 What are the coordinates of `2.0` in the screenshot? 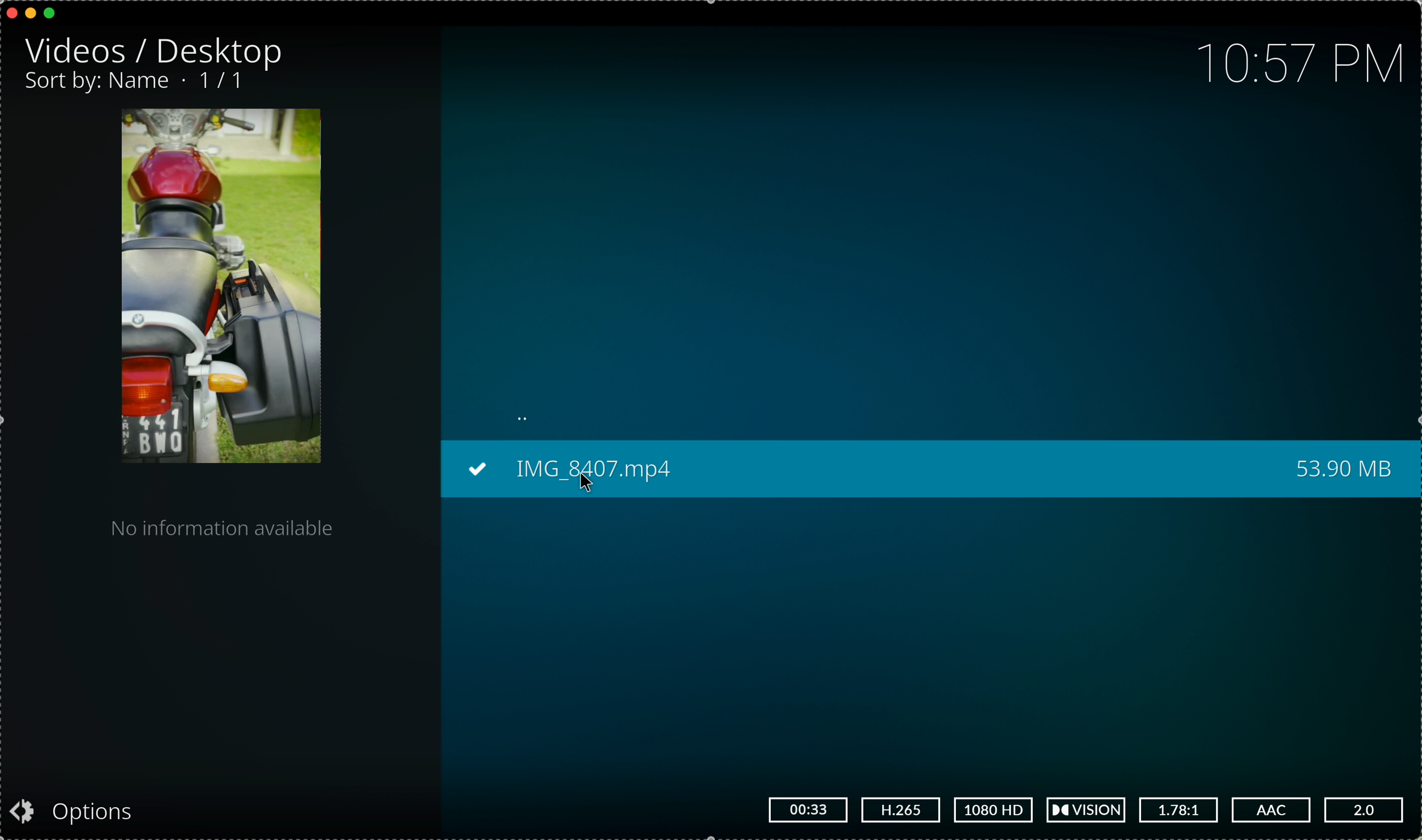 It's located at (1366, 810).